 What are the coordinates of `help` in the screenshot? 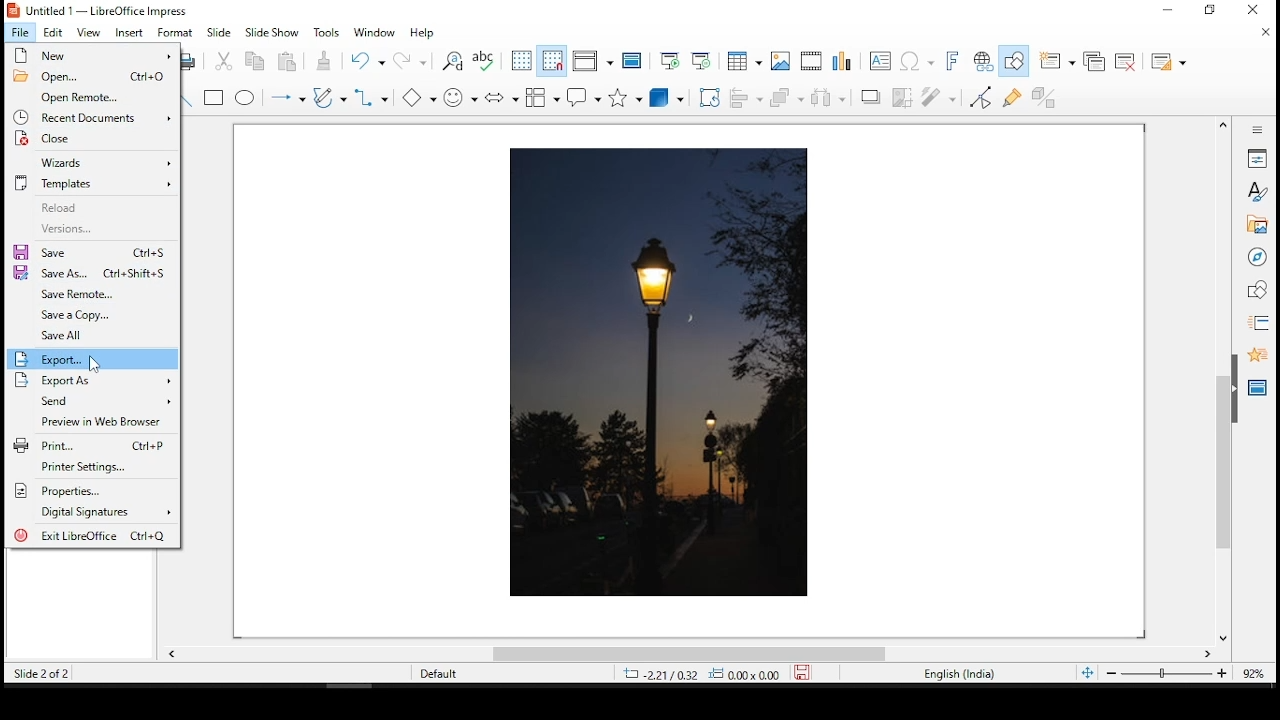 It's located at (425, 34).